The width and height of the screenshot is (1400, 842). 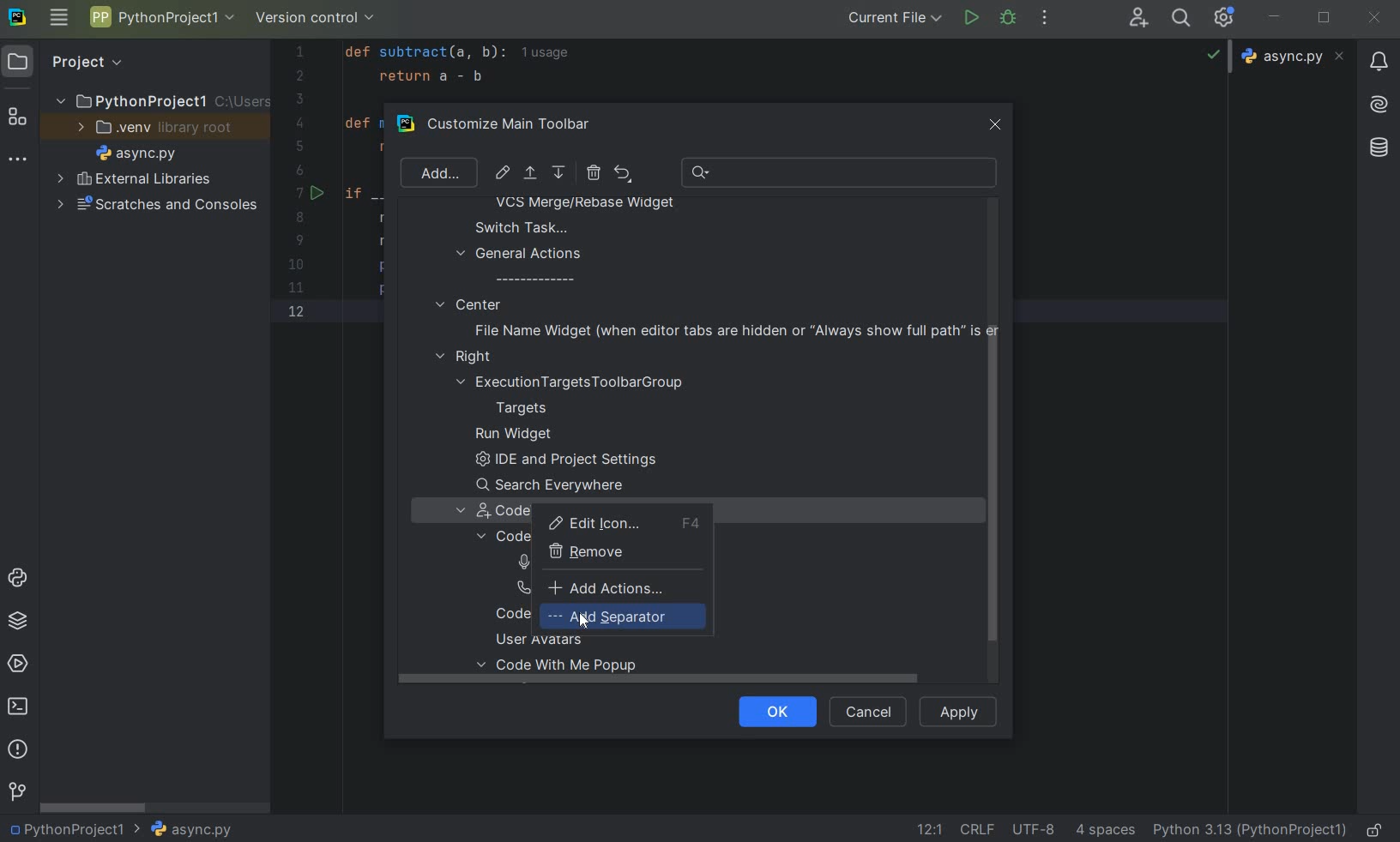 I want to click on CLOSE, so click(x=1373, y=19).